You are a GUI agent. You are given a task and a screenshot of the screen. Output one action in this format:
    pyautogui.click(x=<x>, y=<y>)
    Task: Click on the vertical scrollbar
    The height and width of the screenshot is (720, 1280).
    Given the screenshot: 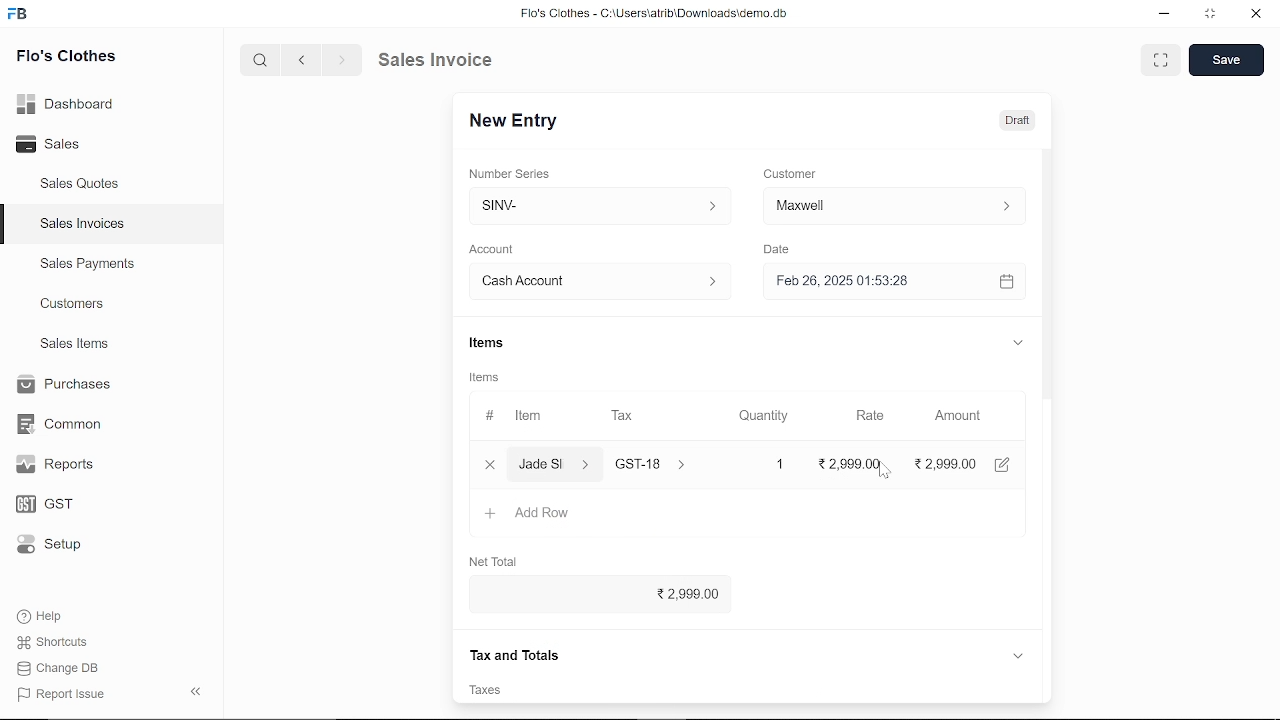 What is the action you would take?
    pyautogui.click(x=1048, y=329)
    